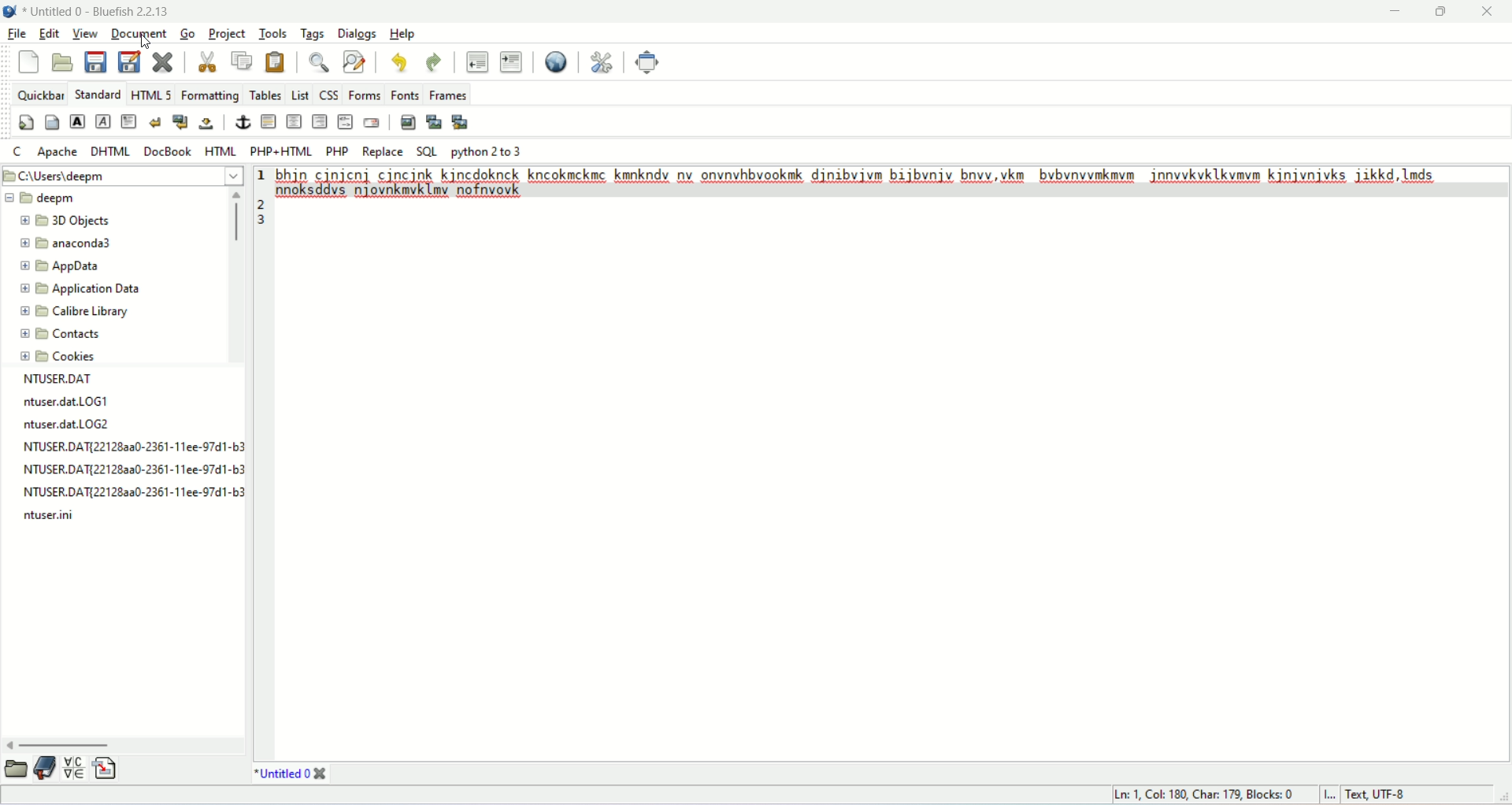 The width and height of the screenshot is (1512, 805). What do you see at coordinates (450, 93) in the screenshot?
I see `frames` at bounding box center [450, 93].